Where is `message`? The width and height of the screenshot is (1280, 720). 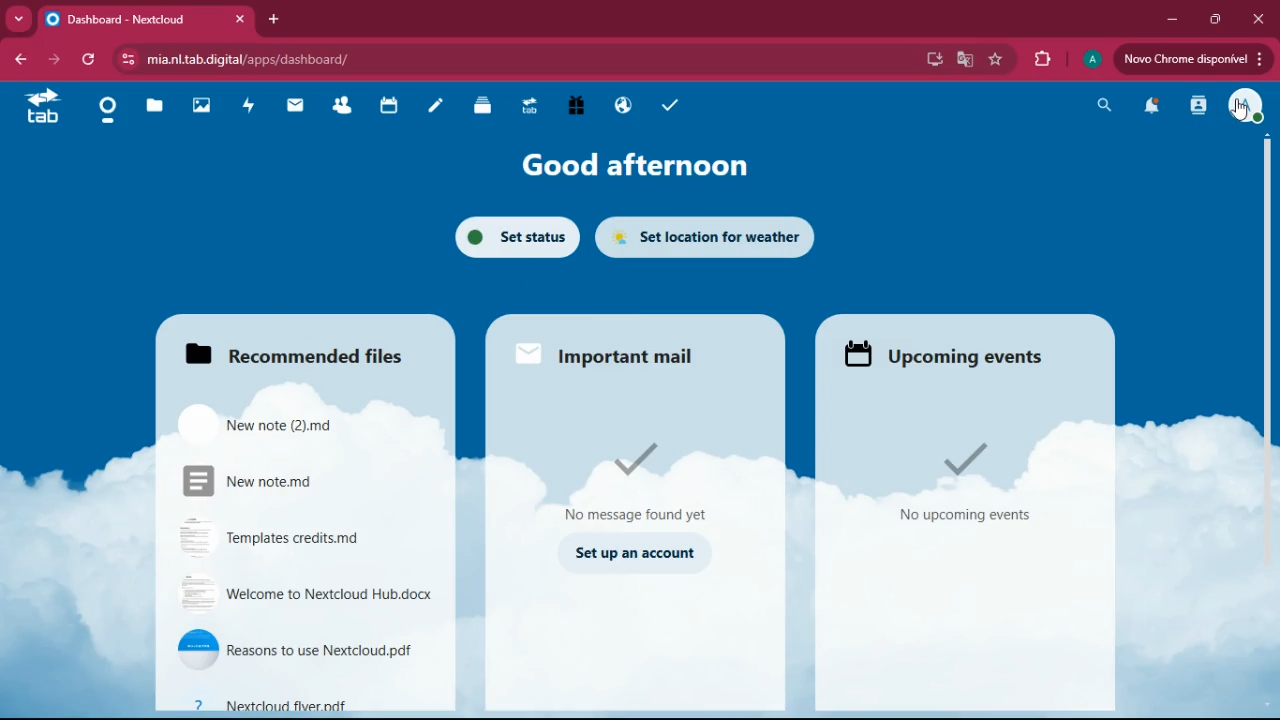 message is located at coordinates (645, 481).